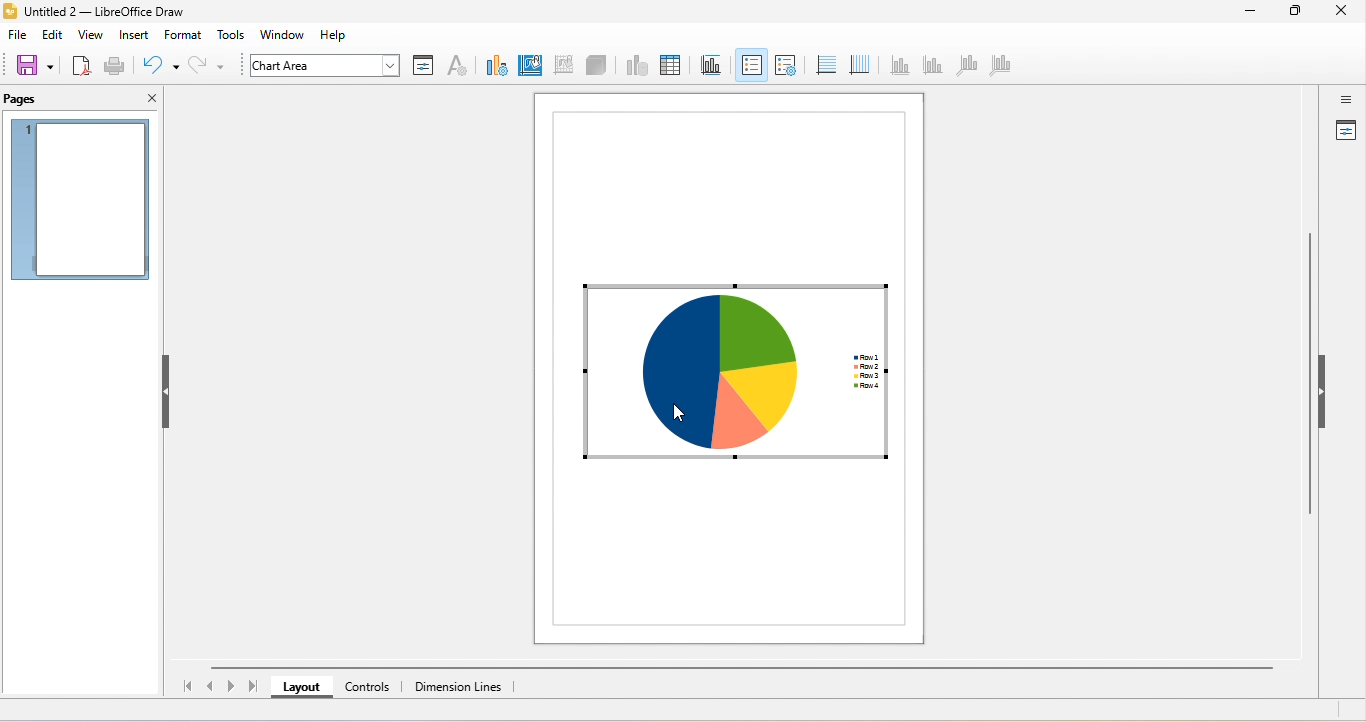  I want to click on chart area, so click(319, 65).